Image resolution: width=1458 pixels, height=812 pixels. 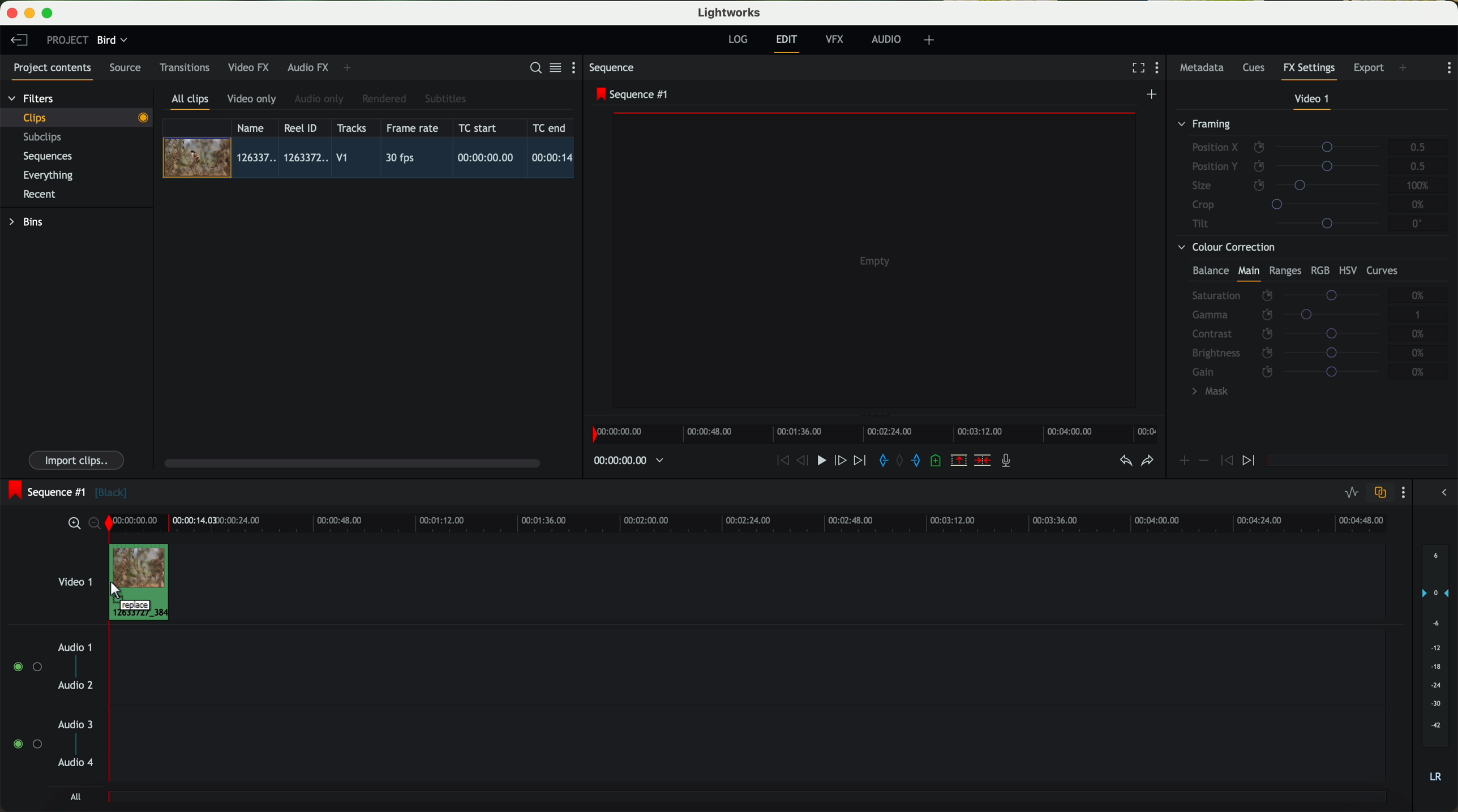 What do you see at coordinates (75, 797) in the screenshot?
I see `all` at bounding box center [75, 797].